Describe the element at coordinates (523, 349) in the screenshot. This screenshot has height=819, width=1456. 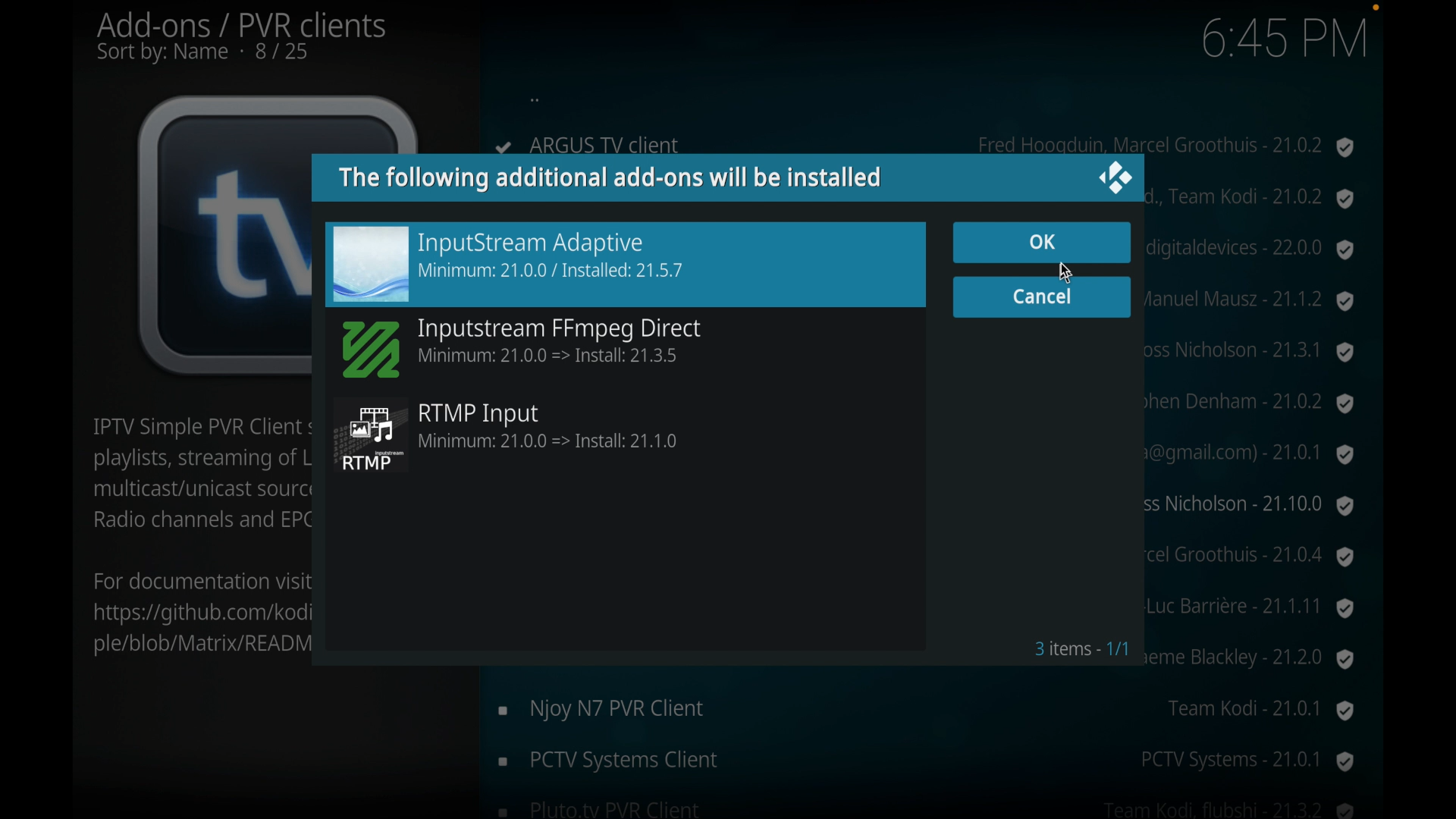
I see `inputstream` at that location.